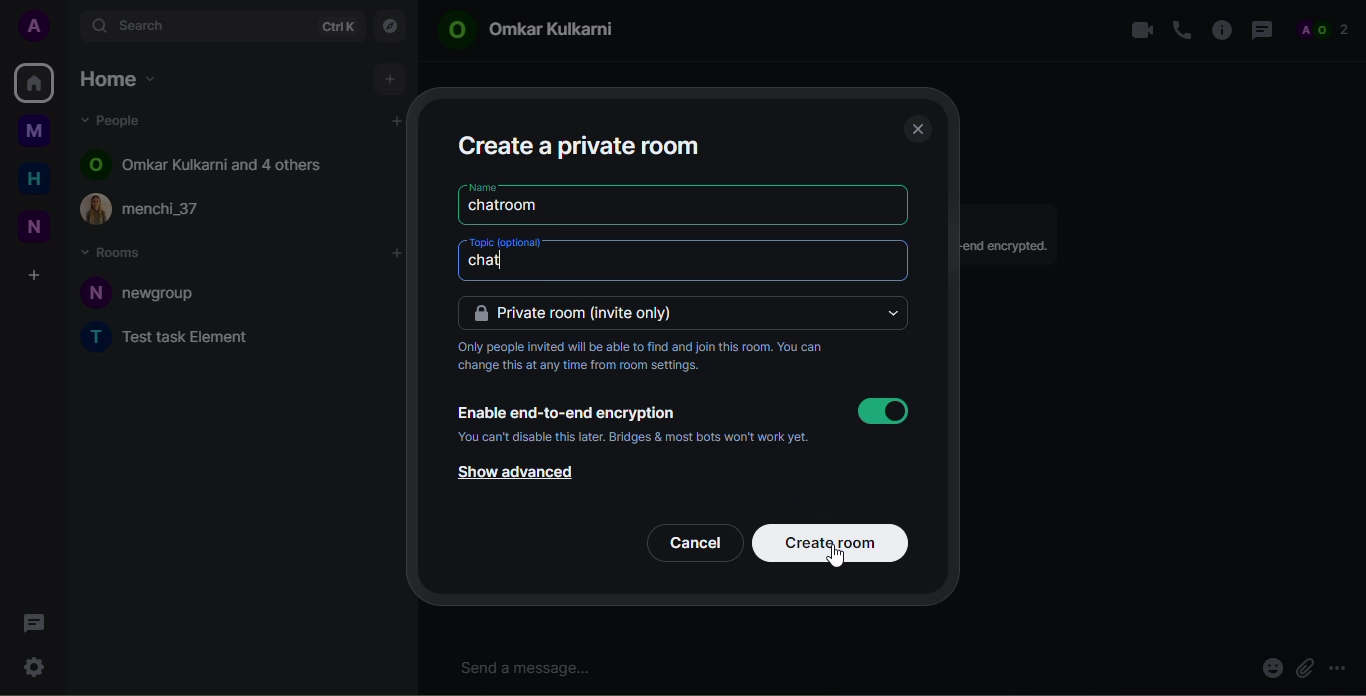 The width and height of the screenshot is (1366, 696). What do you see at coordinates (636, 438) in the screenshot?
I see `‘You can't disable this later. Bridges & most bots won't work yet.` at bounding box center [636, 438].